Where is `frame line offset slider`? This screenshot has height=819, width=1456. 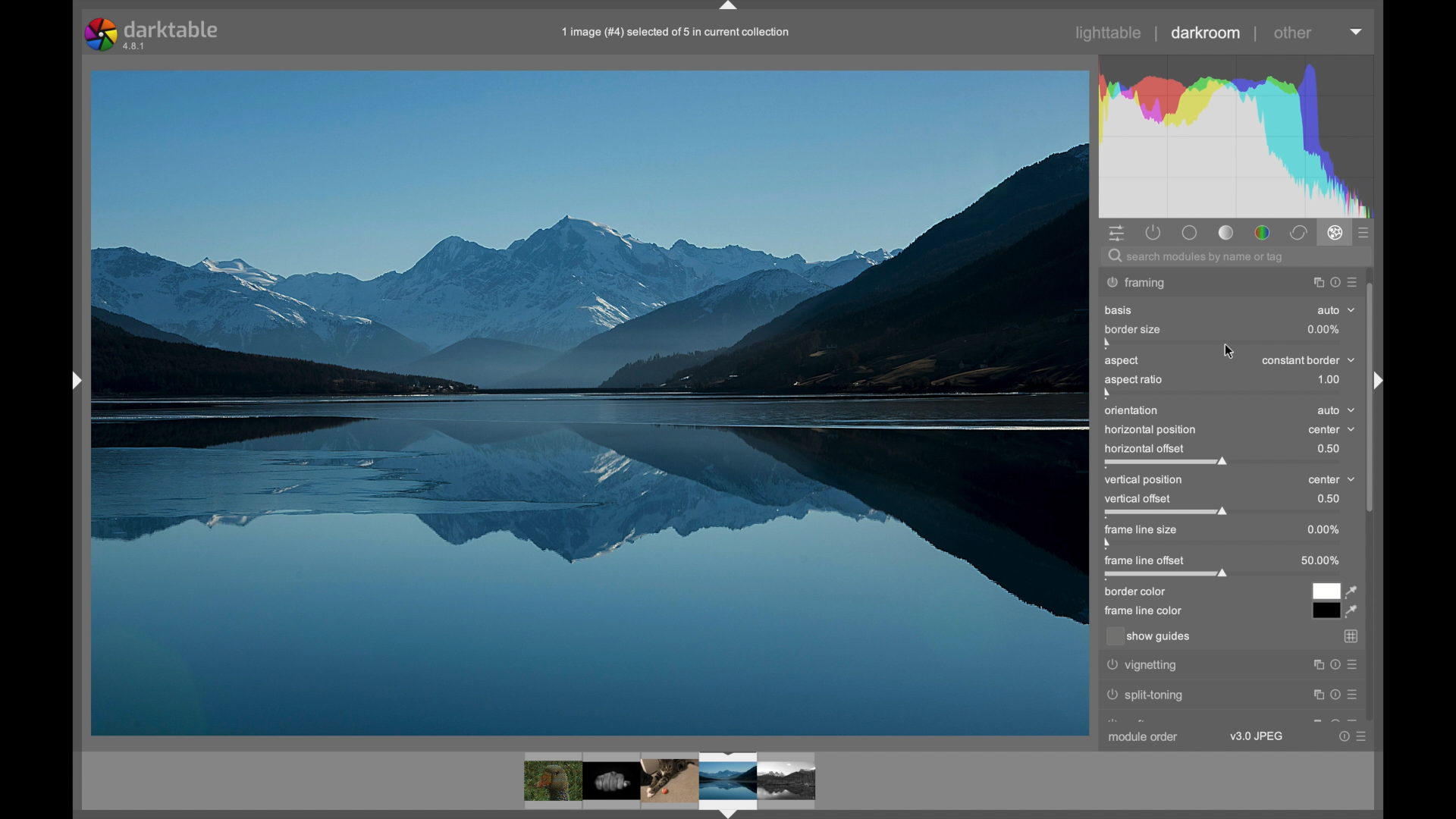
frame line offset slider is located at coordinates (1169, 568).